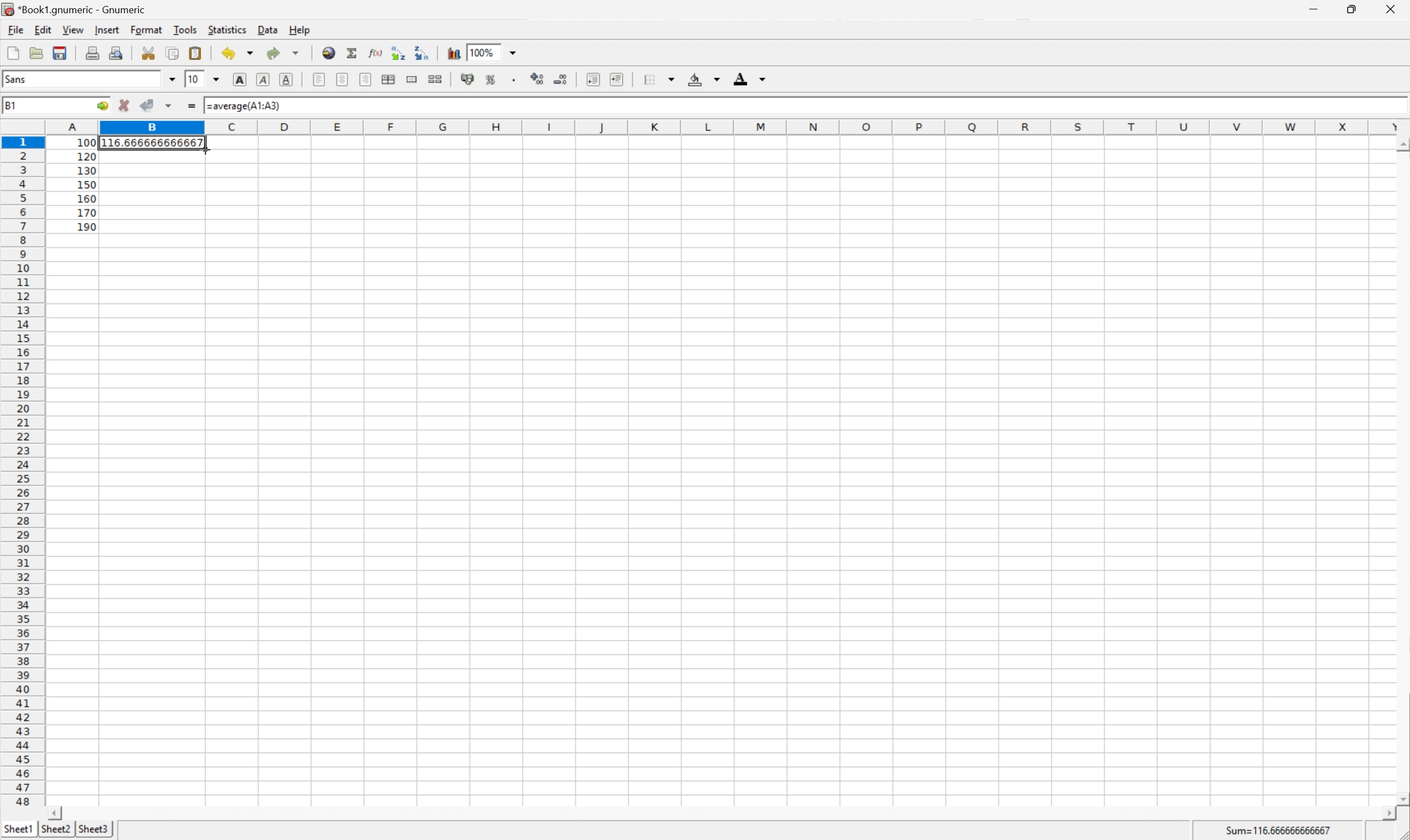 The height and width of the screenshot is (840, 1410). What do you see at coordinates (301, 28) in the screenshot?
I see `Help` at bounding box center [301, 28].